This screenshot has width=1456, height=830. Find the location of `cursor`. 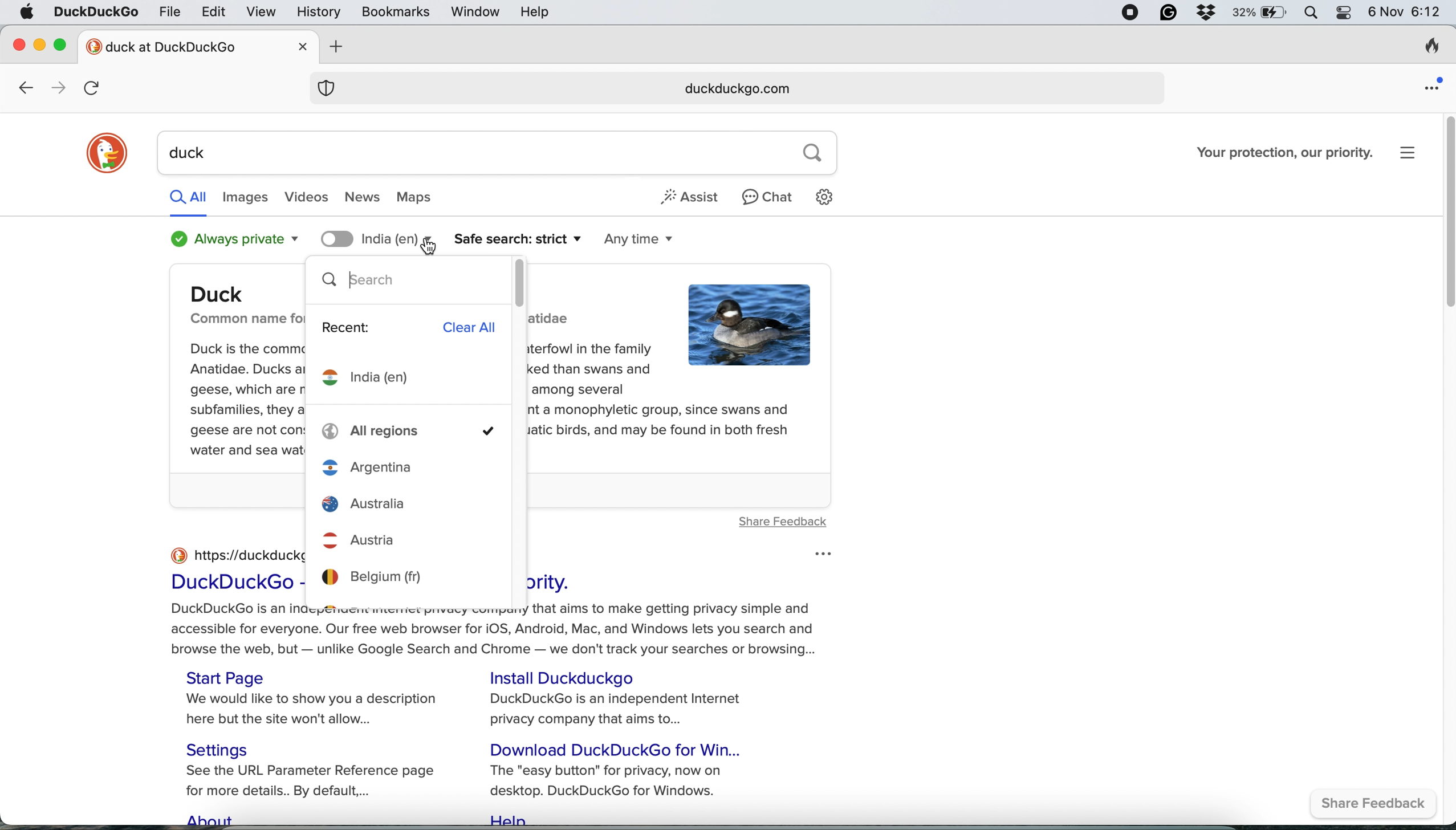

cursor is located at coordinates (431, 247).